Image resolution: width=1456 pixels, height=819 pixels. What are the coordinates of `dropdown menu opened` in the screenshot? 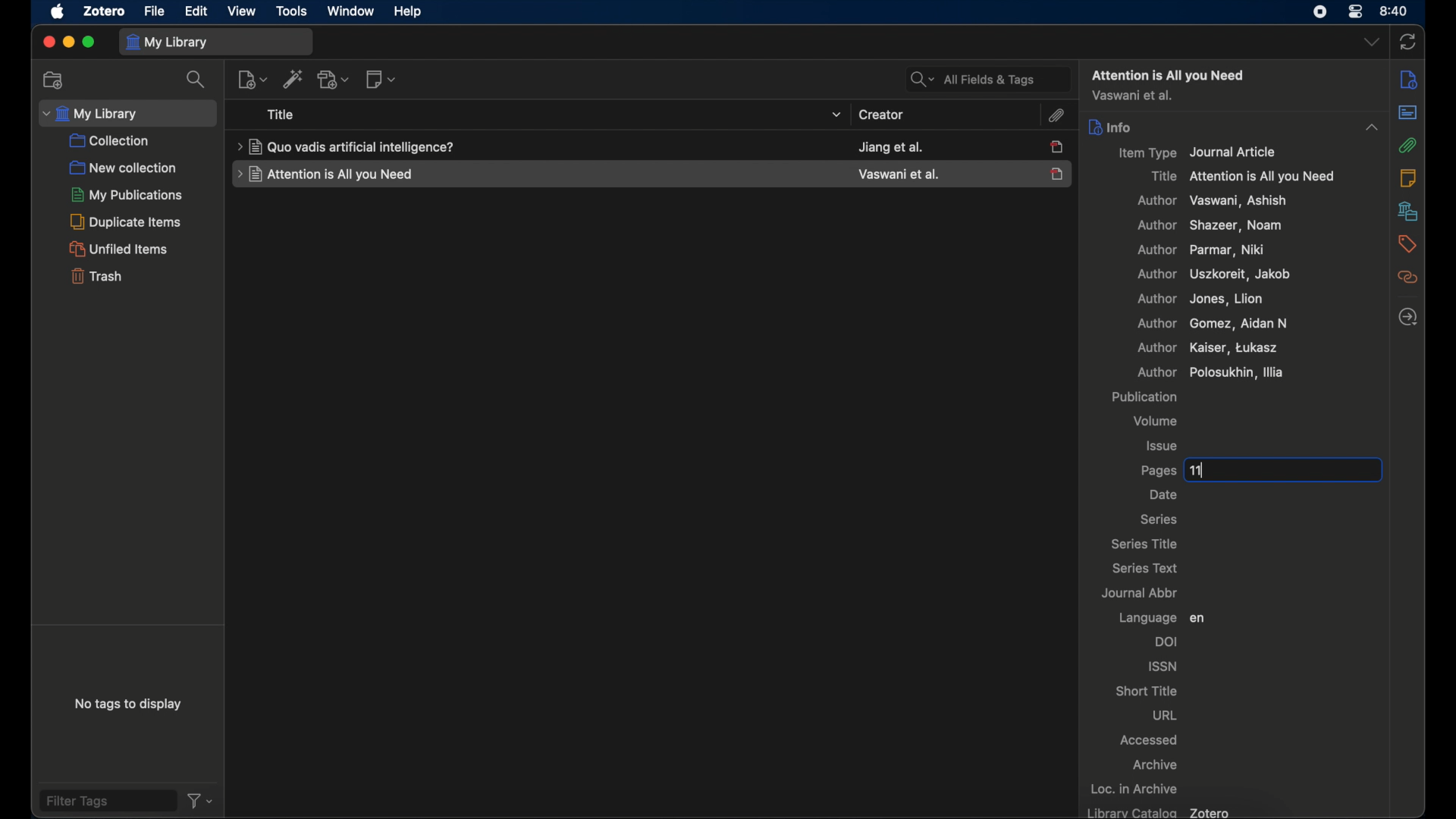 It's located at (1371, 127).